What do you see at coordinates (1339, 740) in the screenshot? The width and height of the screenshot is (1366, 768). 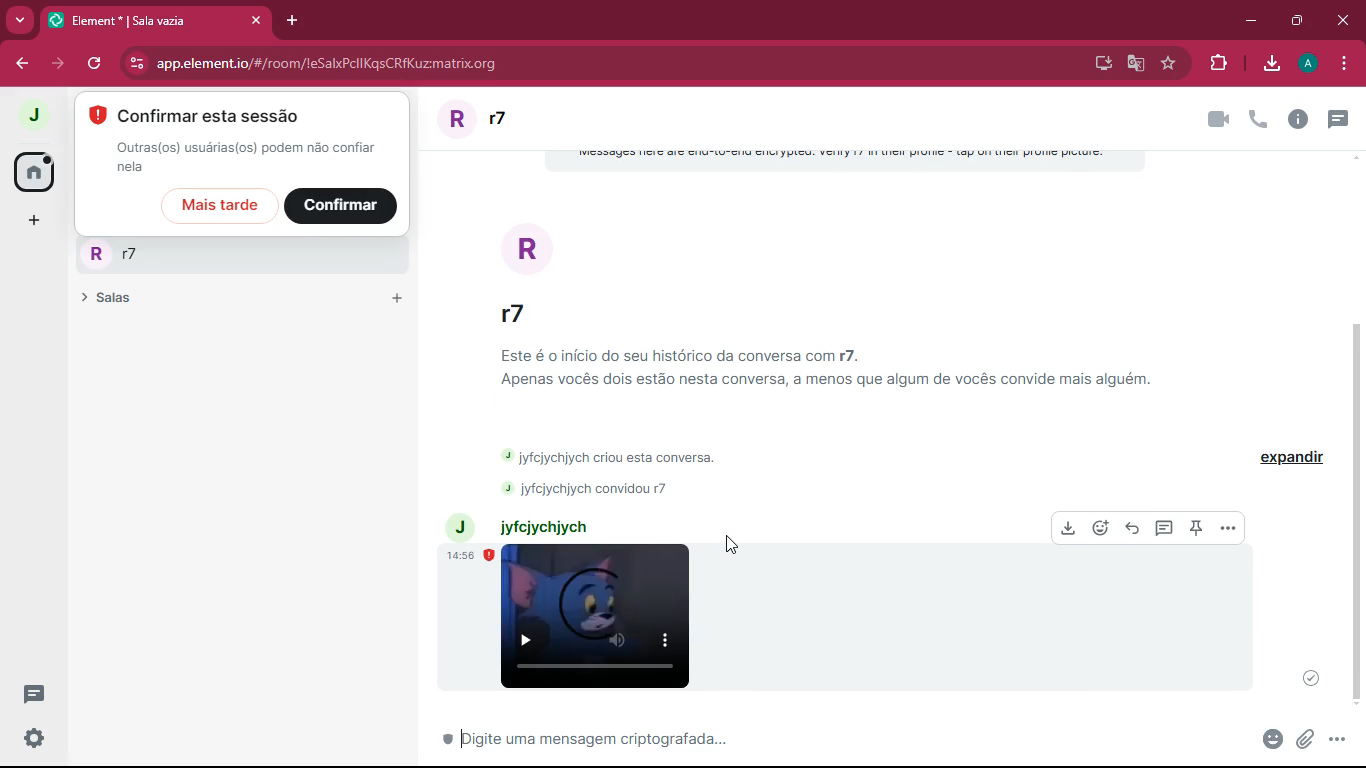 I see `more` at bounding box center [1339, 740].